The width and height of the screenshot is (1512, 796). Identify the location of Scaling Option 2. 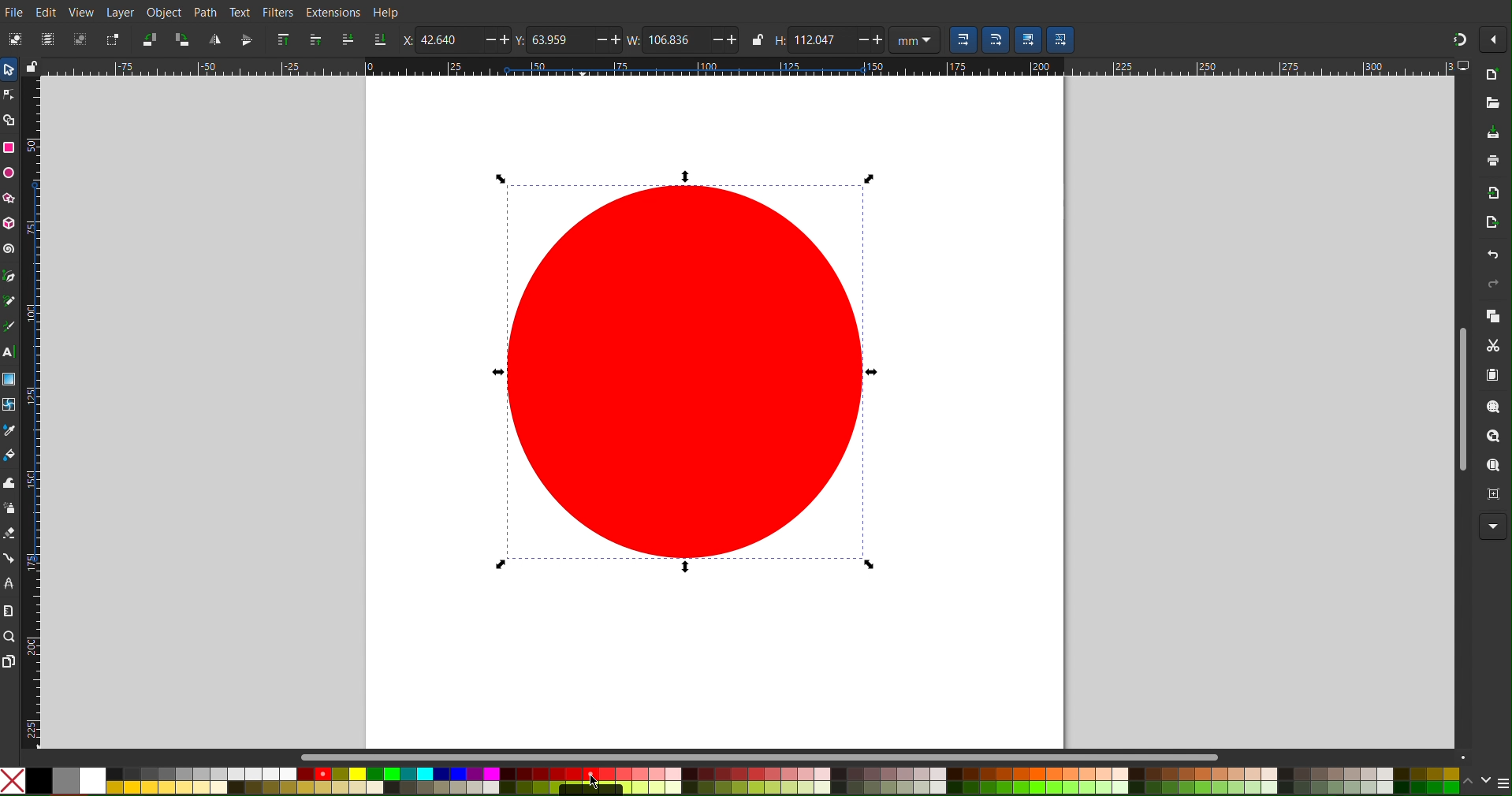
(995, 40).